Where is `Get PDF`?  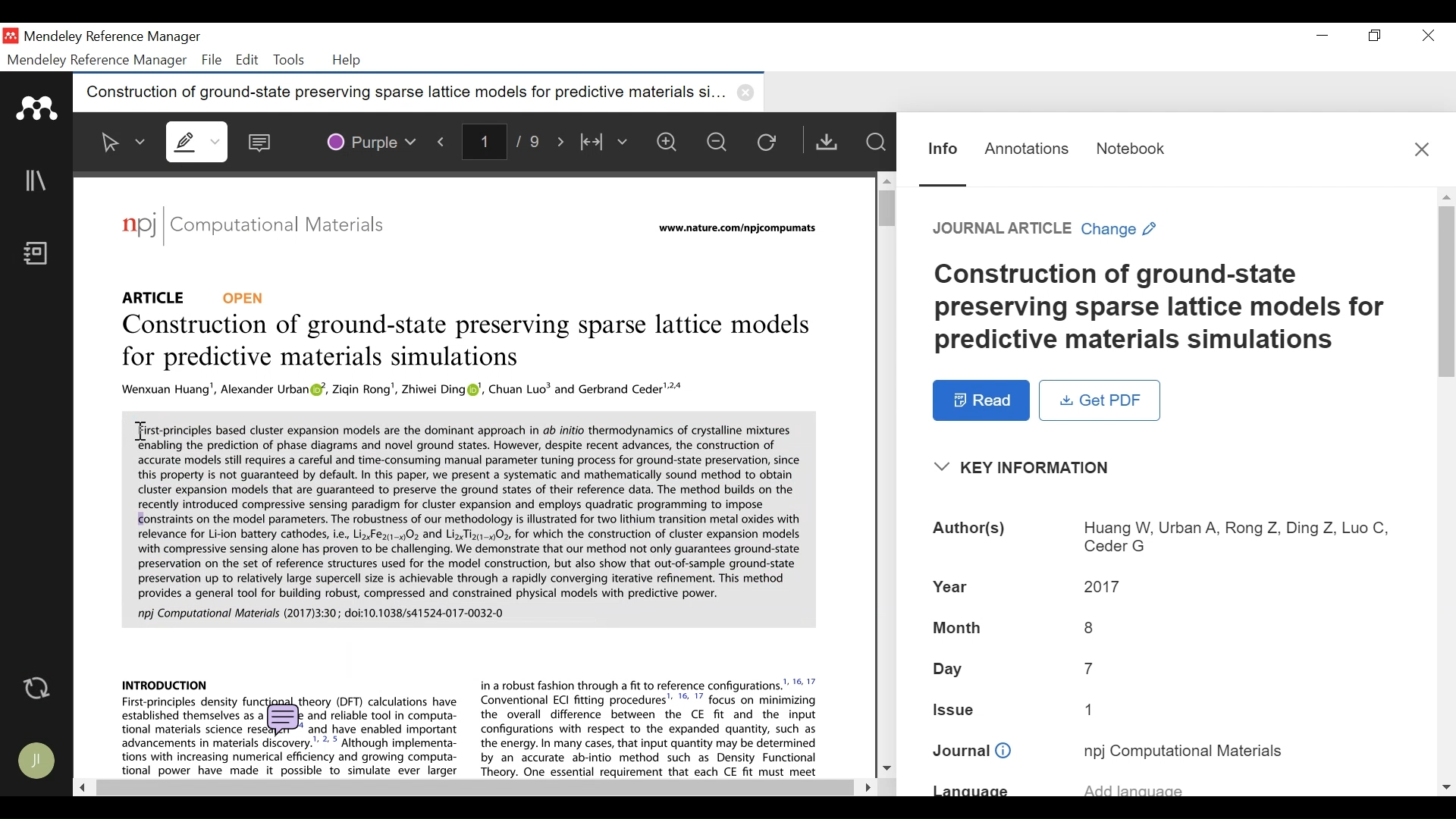 Get PDF is located at coordinates (826, 141).